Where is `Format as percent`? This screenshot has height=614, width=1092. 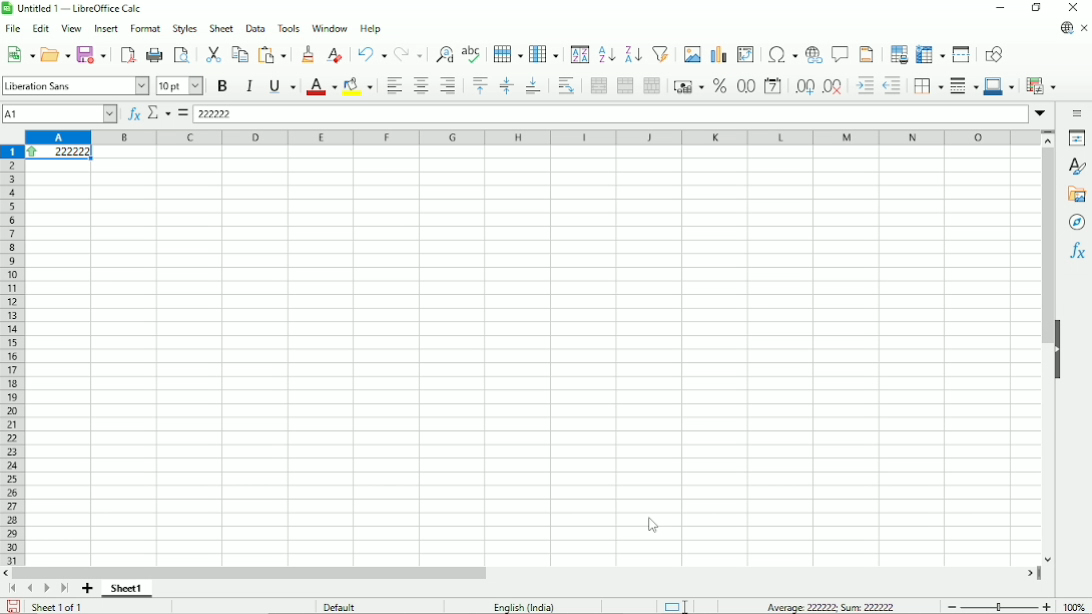 Format as percent is located at coordinates (719, 86).